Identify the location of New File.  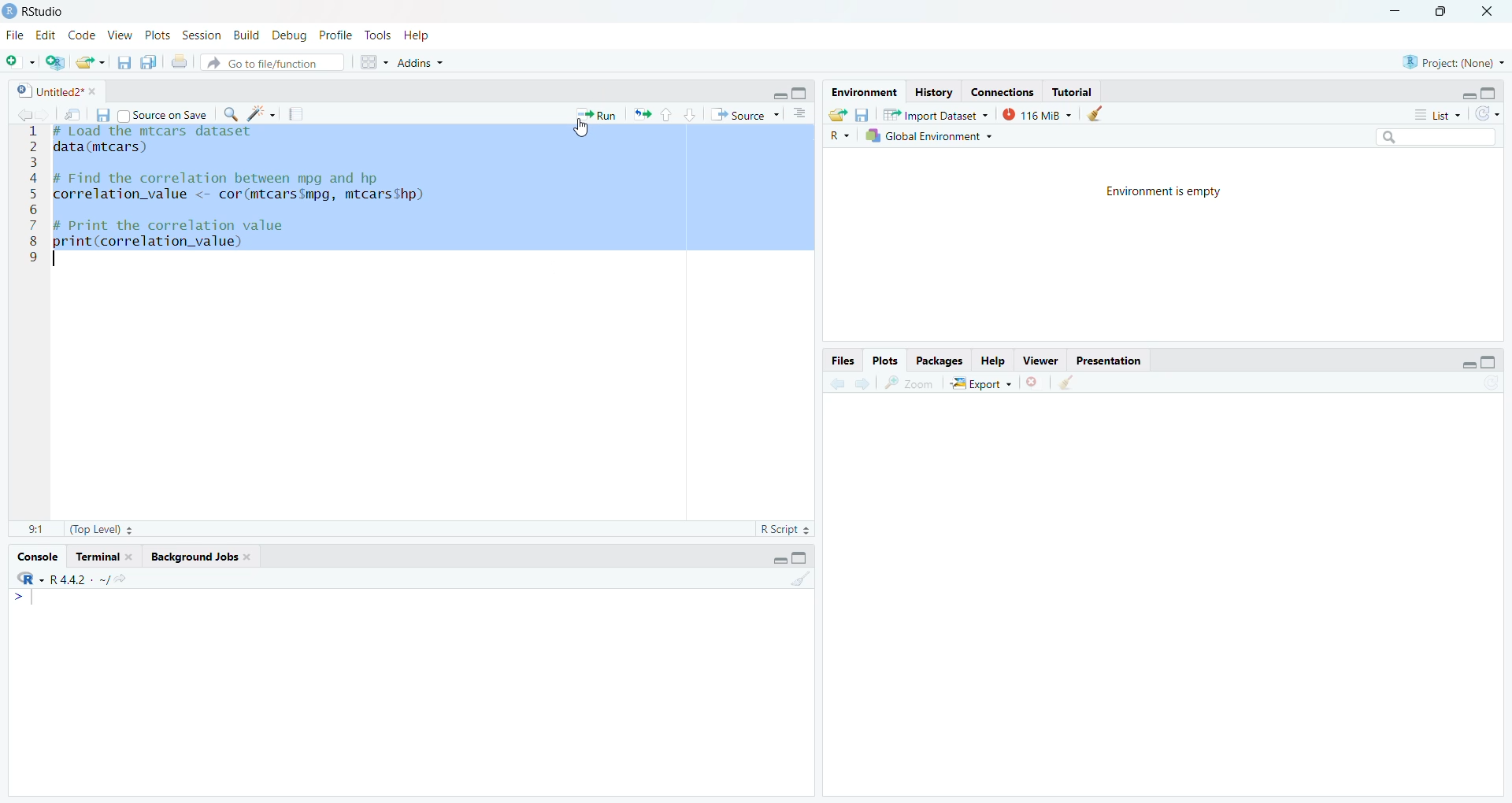
(19, 65).